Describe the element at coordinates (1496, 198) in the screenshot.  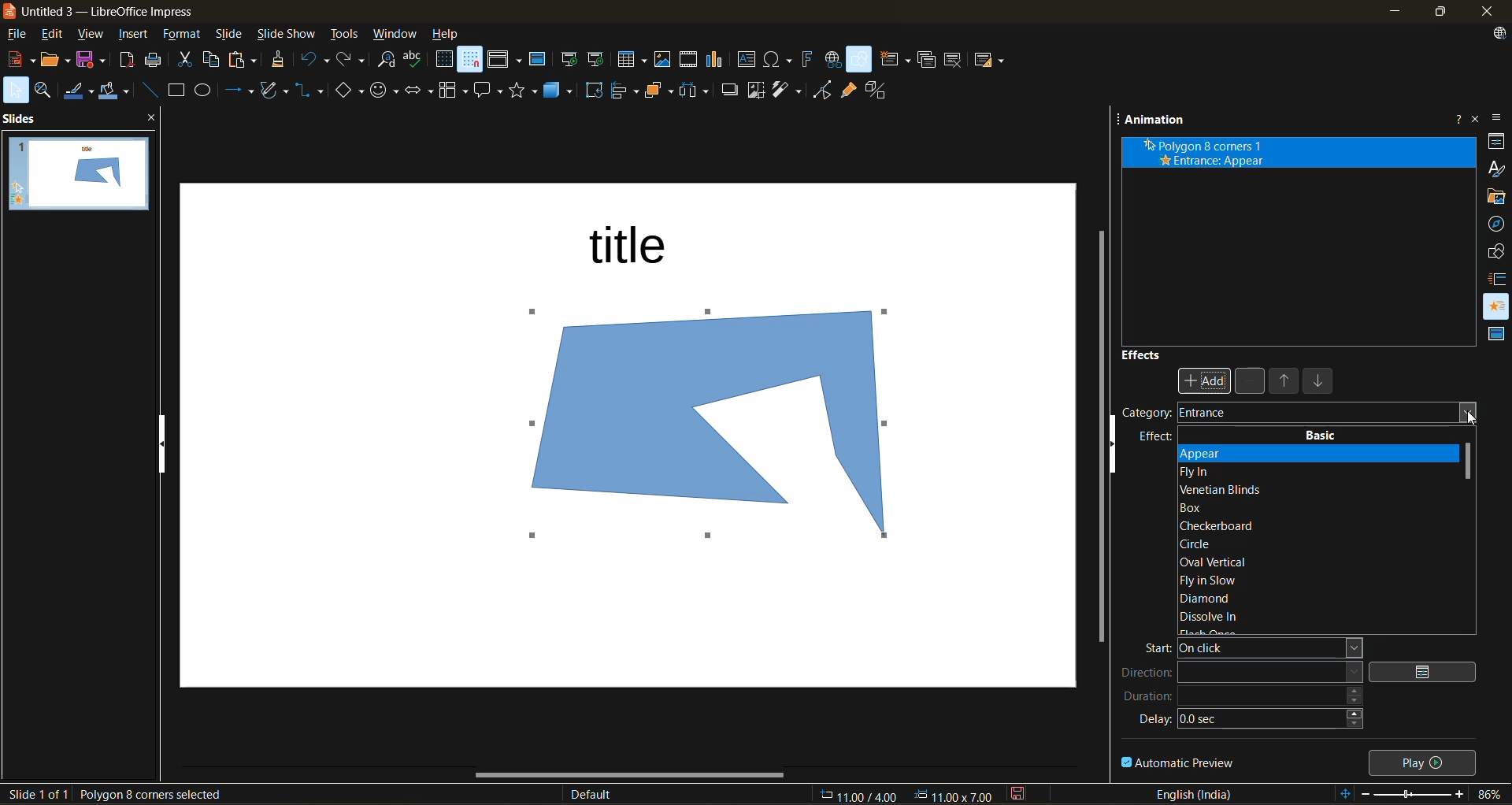
I see `gallery` at that location.